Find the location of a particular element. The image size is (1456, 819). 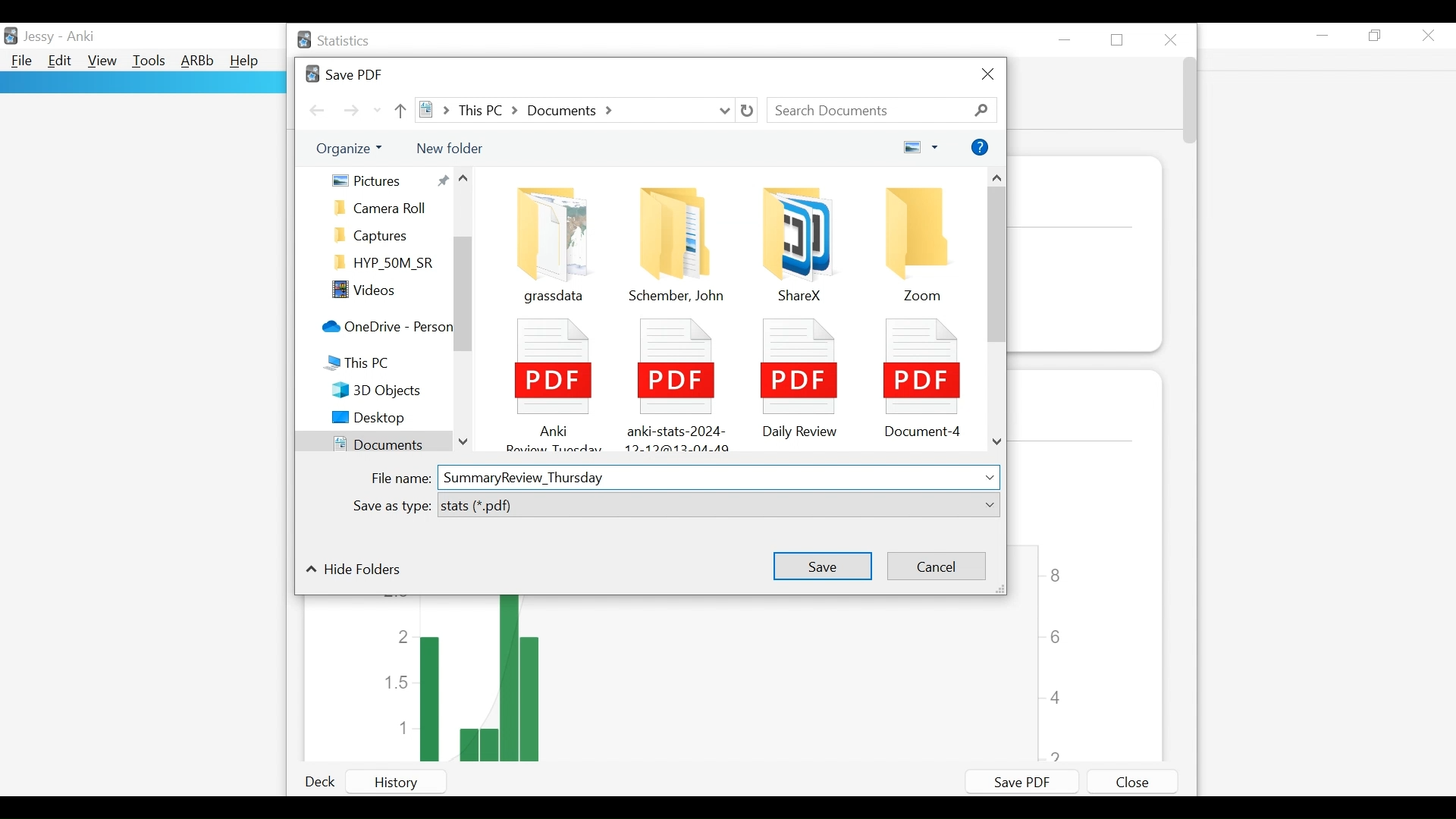

Folder is located at coordinates (385, 209).